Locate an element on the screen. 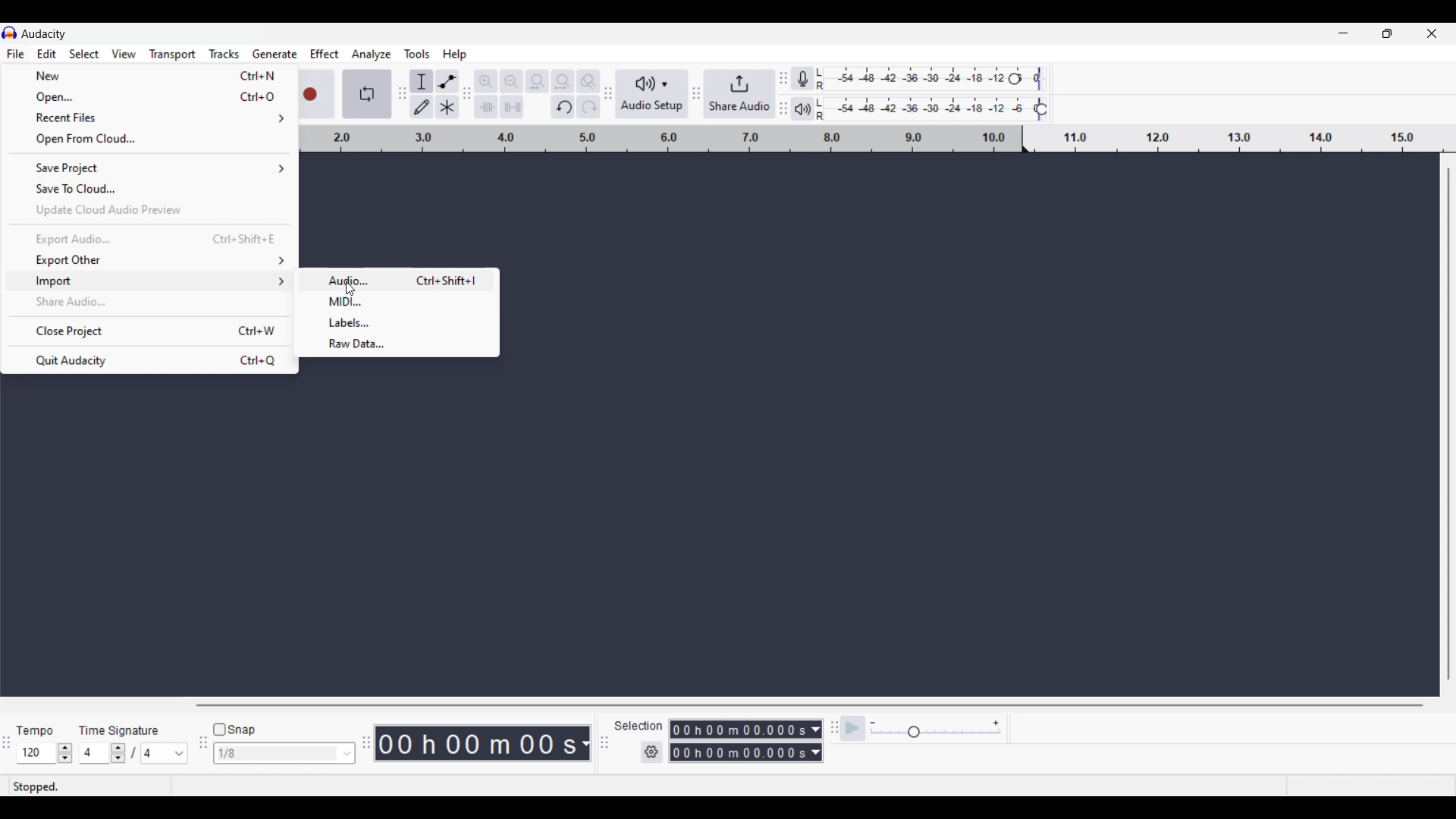  Transport menu is located at coordinates (172, 54).